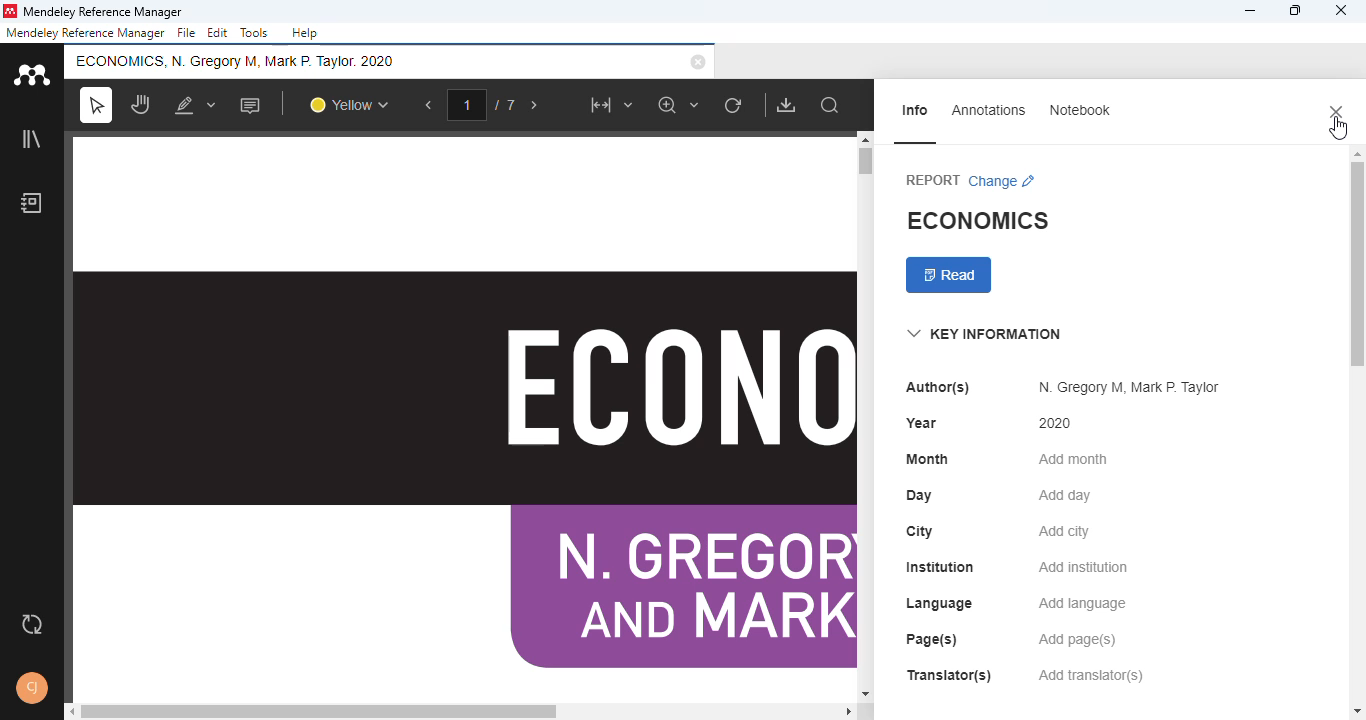 This screenshot has width=1366, height=720. I want to click on vertical scroll bar, so click(867, 161).